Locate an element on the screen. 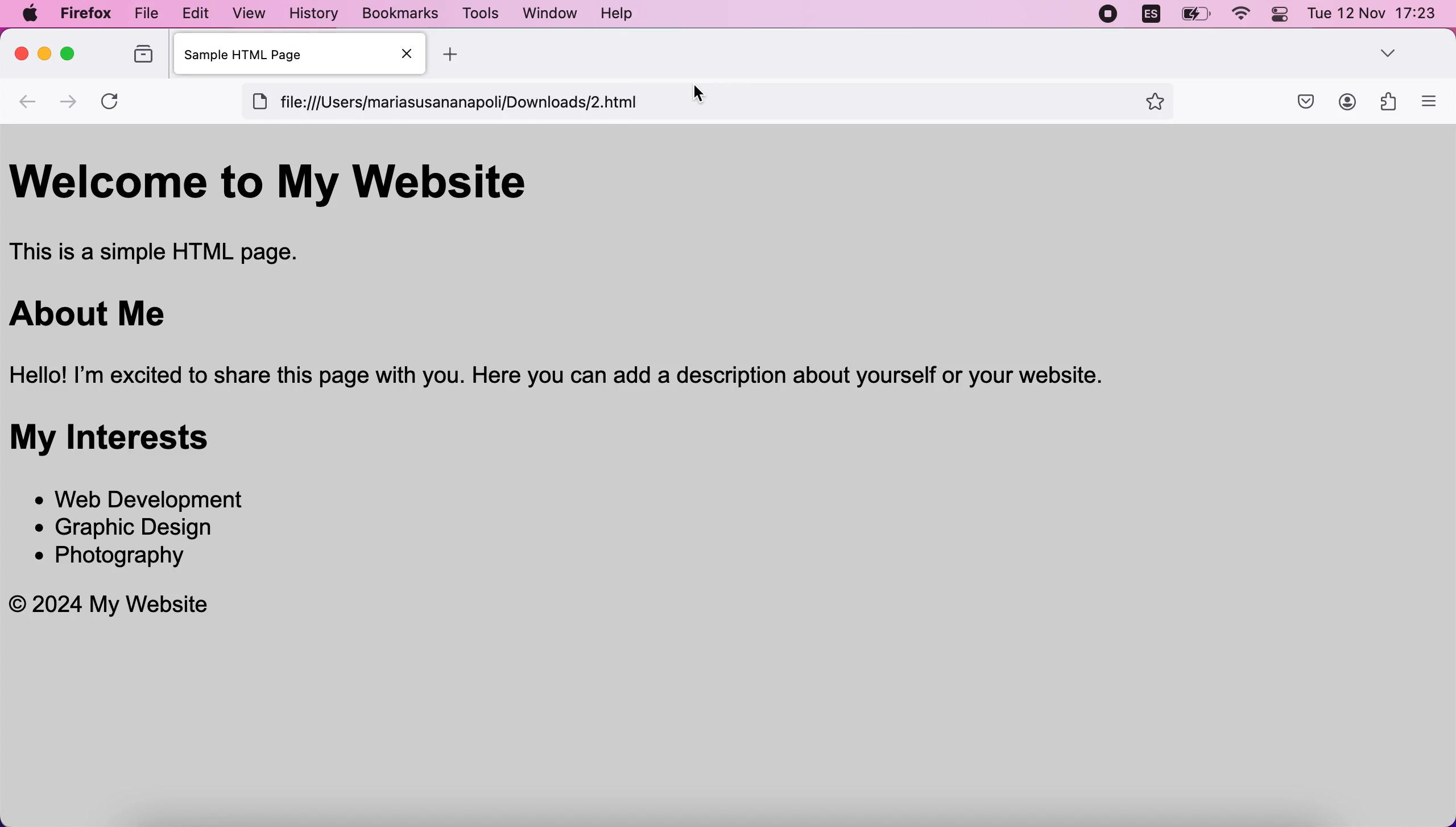 The height and width of the screenshot is (827, 1456). firefox is located at coordinates (87, 15).